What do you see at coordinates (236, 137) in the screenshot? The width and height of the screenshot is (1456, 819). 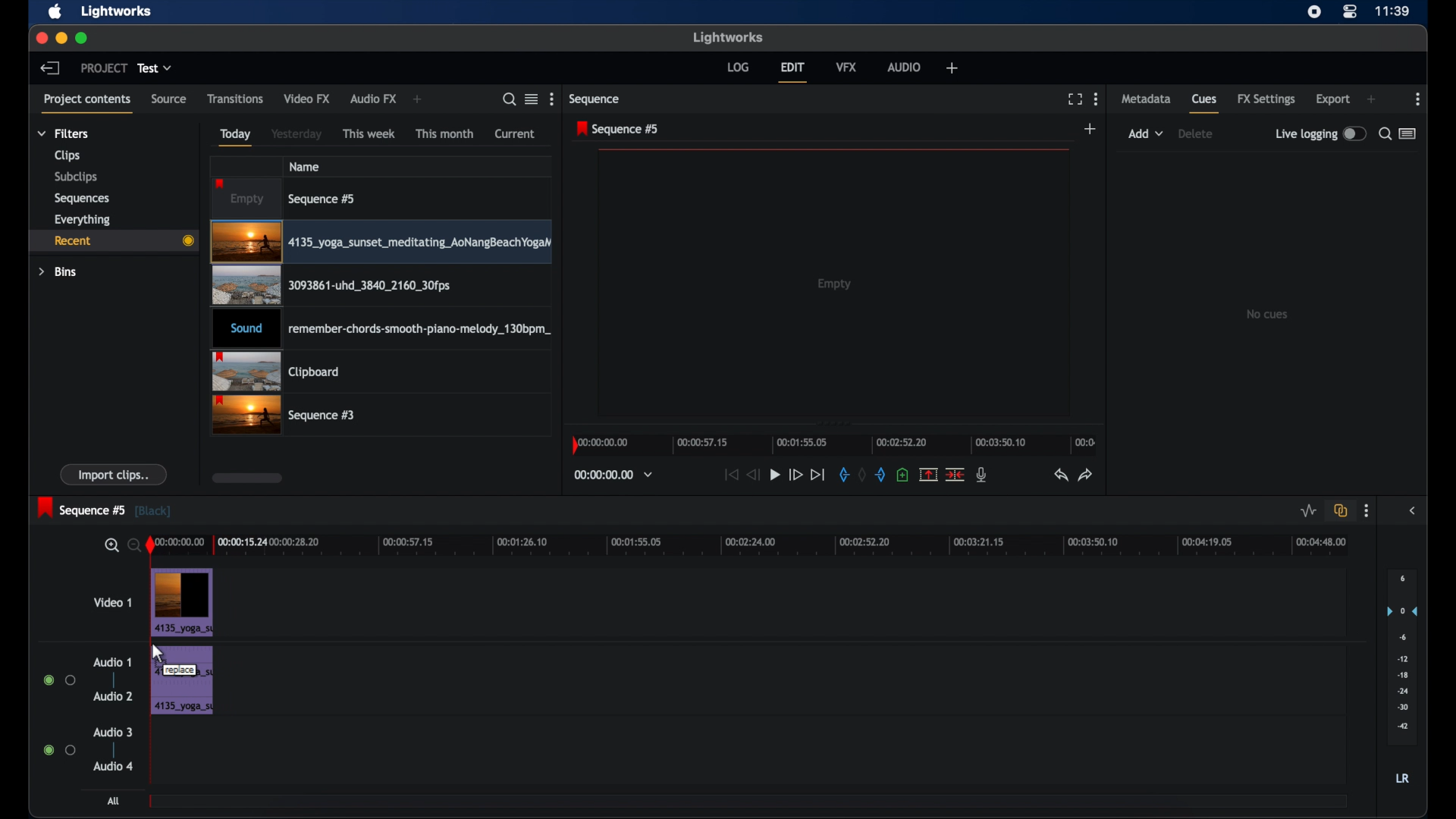 I see `today` at bounding box center [236, 137].